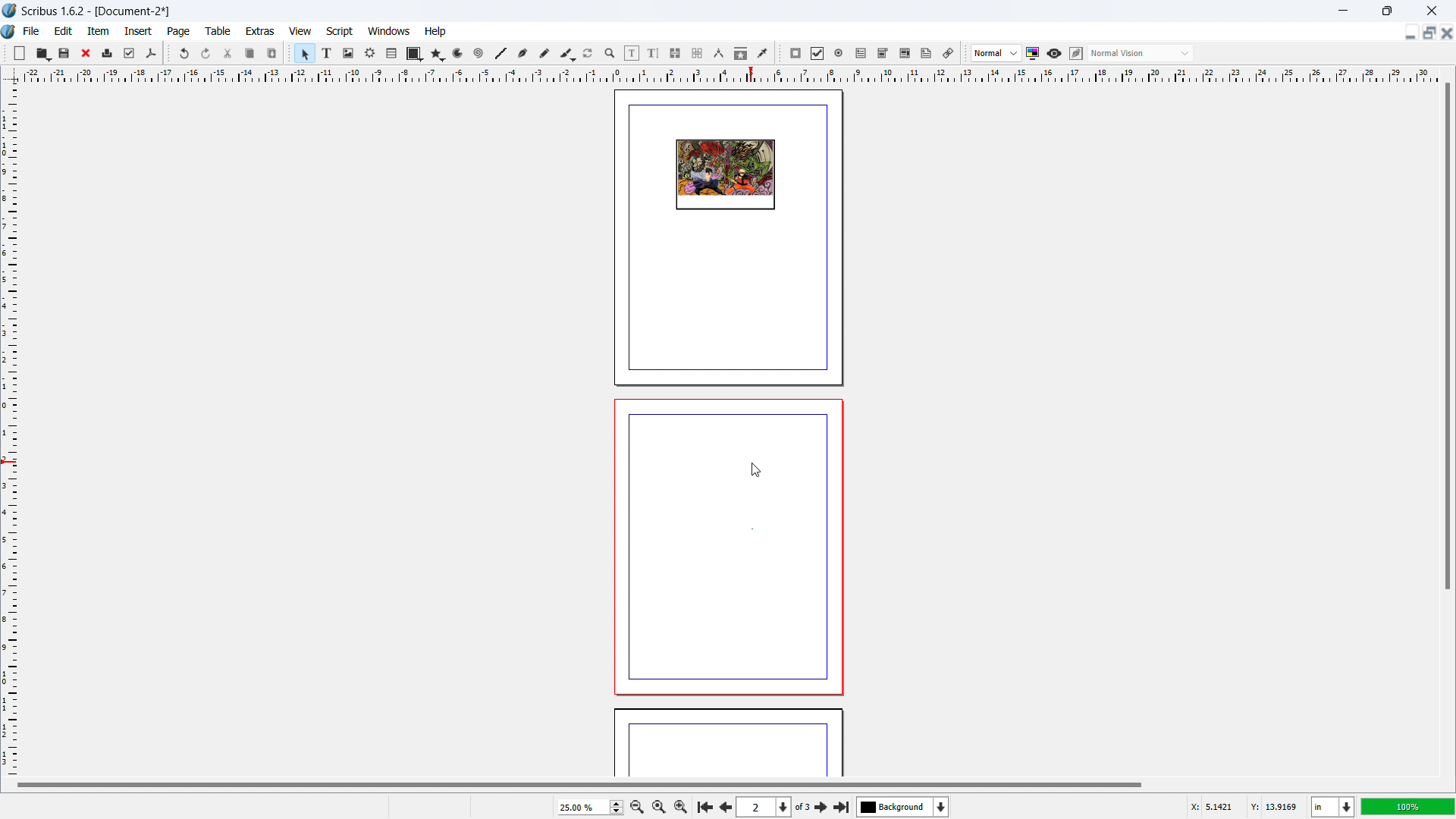  I want to click on maximize document, so click(1427, 33).